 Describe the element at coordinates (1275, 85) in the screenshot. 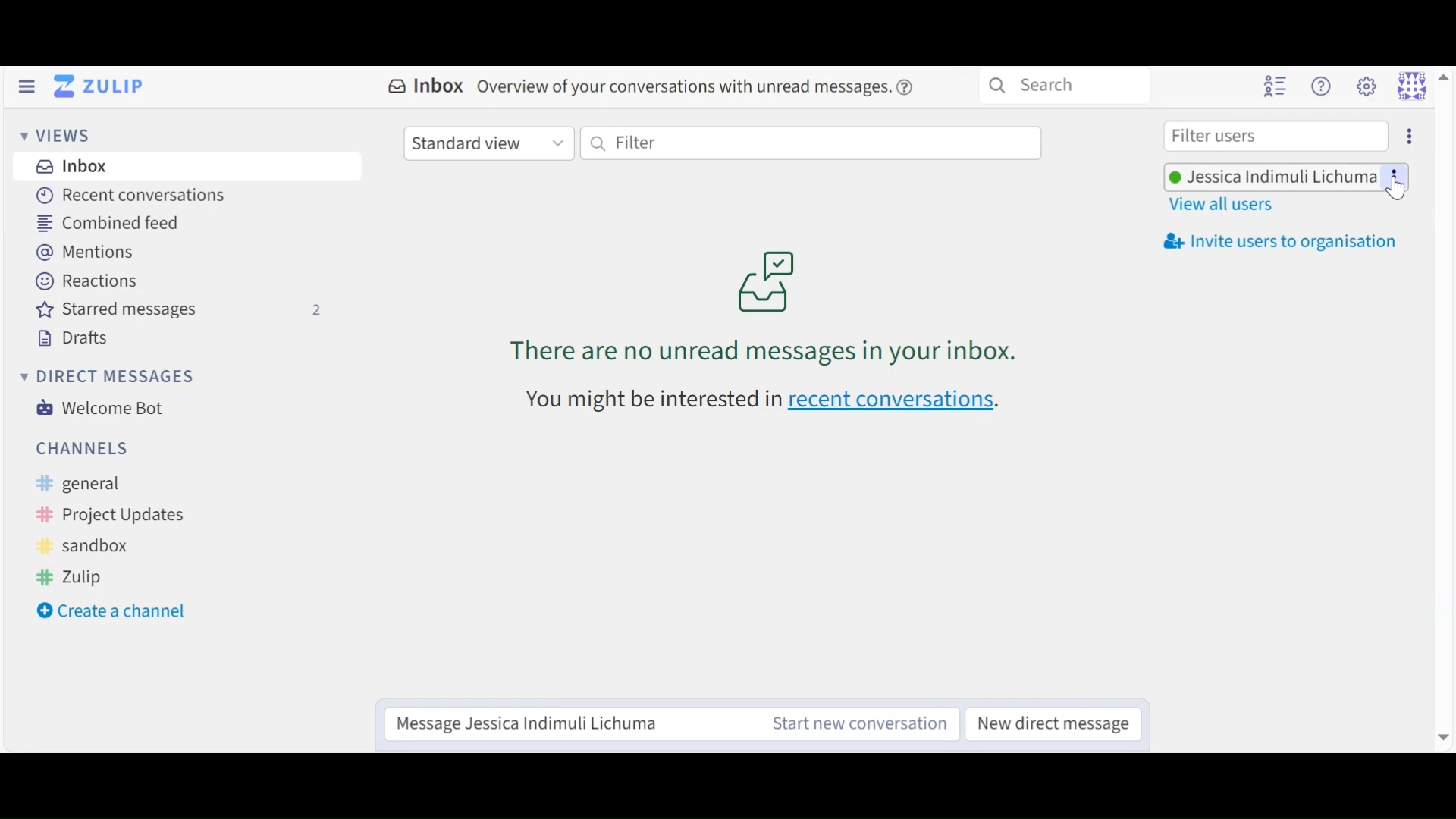

I see `Hide user List ` at that location.